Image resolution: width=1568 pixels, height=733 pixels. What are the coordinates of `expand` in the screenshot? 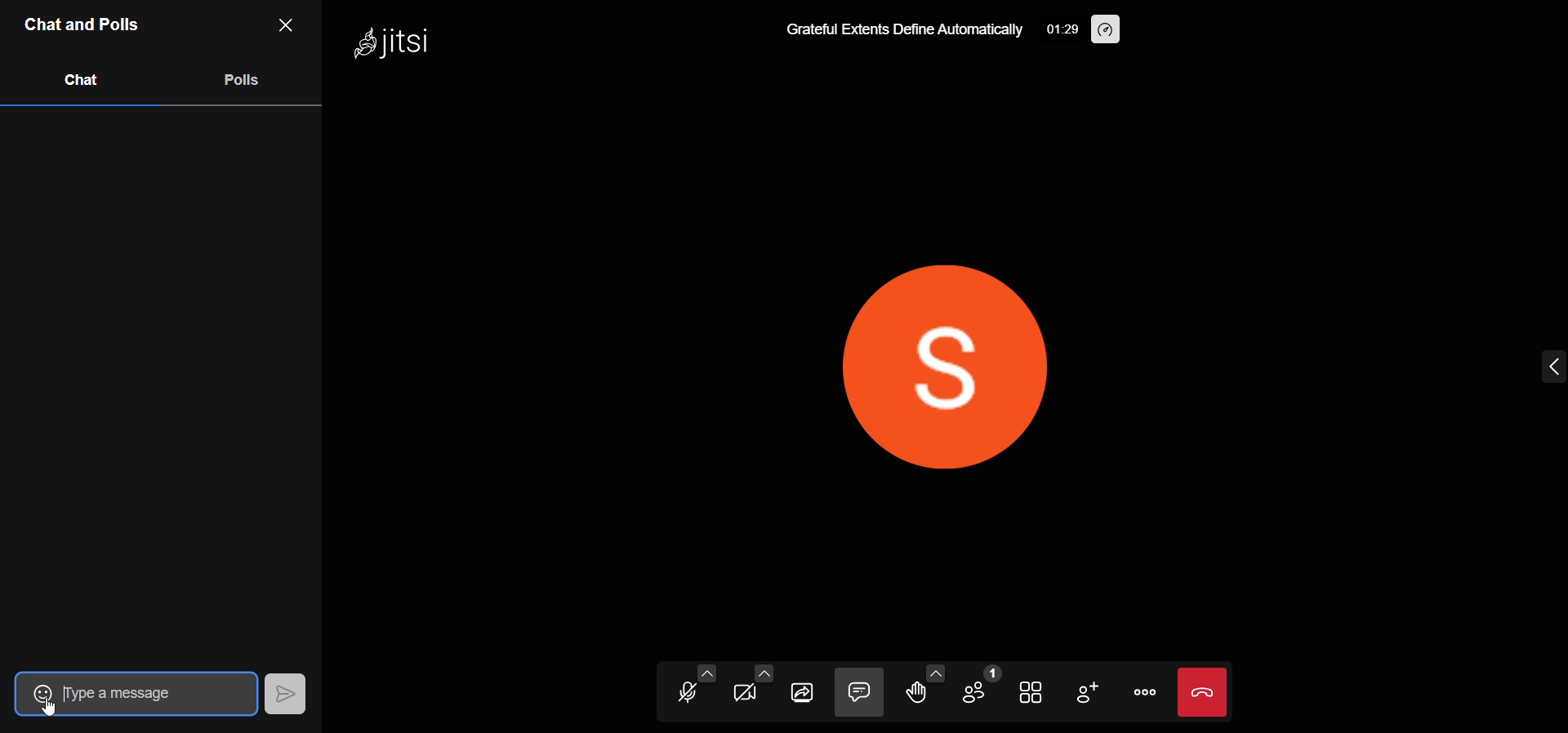 It's located at (1526, 363).